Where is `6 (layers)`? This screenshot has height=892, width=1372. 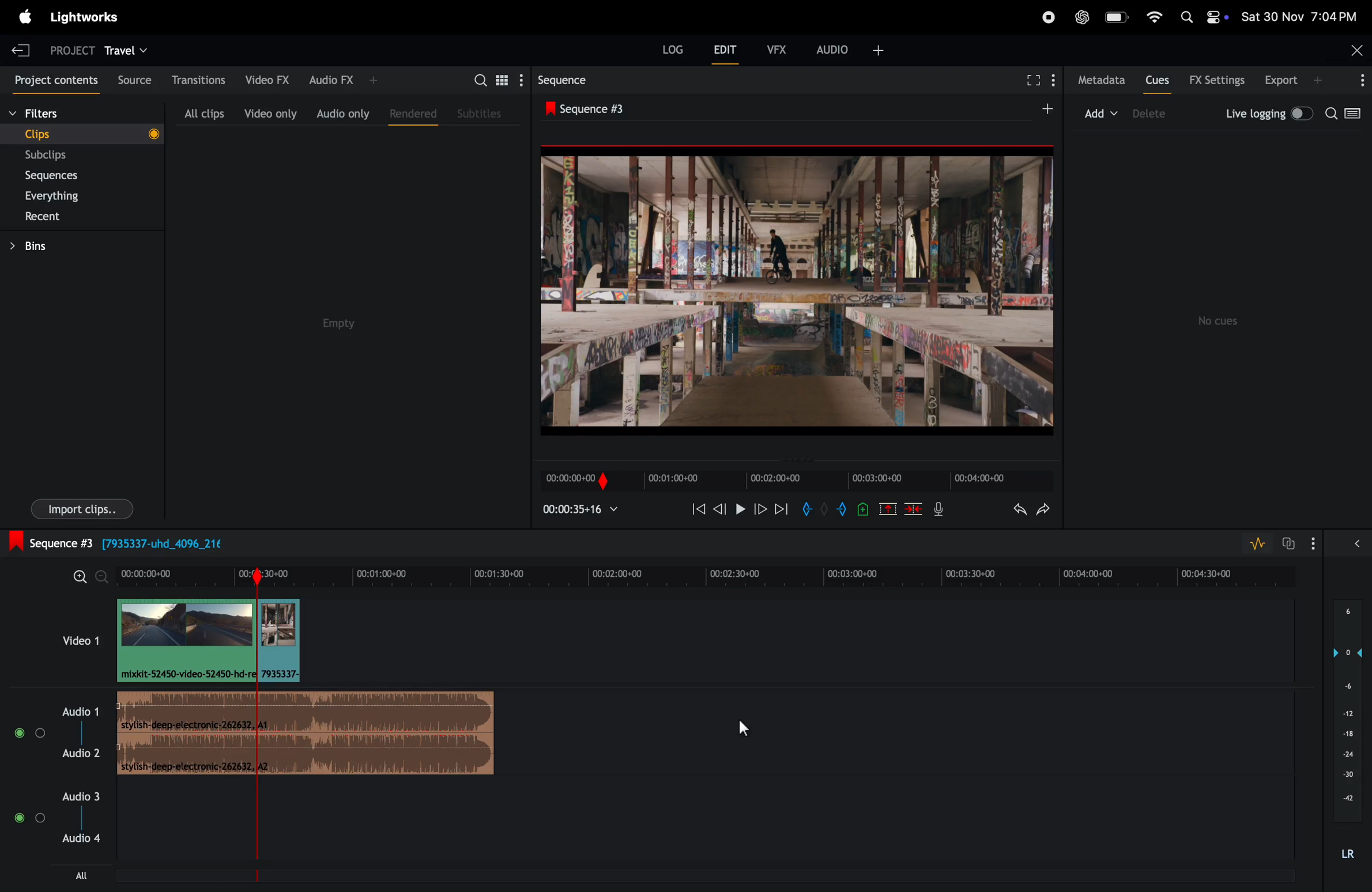
6 (layers) is located at coordinates (1347, 613).